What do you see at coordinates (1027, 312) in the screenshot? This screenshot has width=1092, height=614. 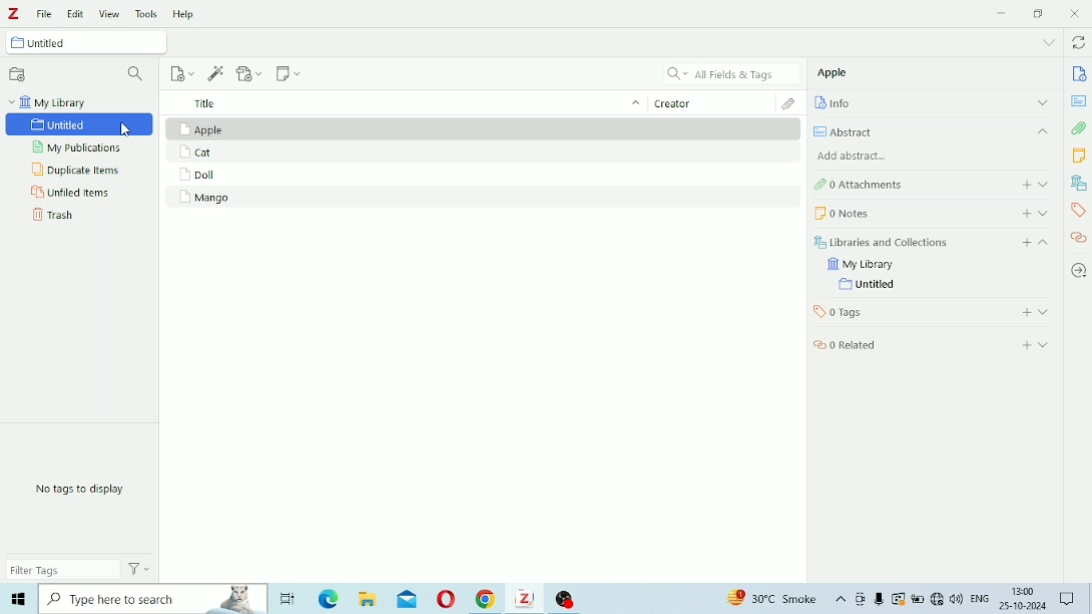 I see `Add` at bounding box center [1027, 312].